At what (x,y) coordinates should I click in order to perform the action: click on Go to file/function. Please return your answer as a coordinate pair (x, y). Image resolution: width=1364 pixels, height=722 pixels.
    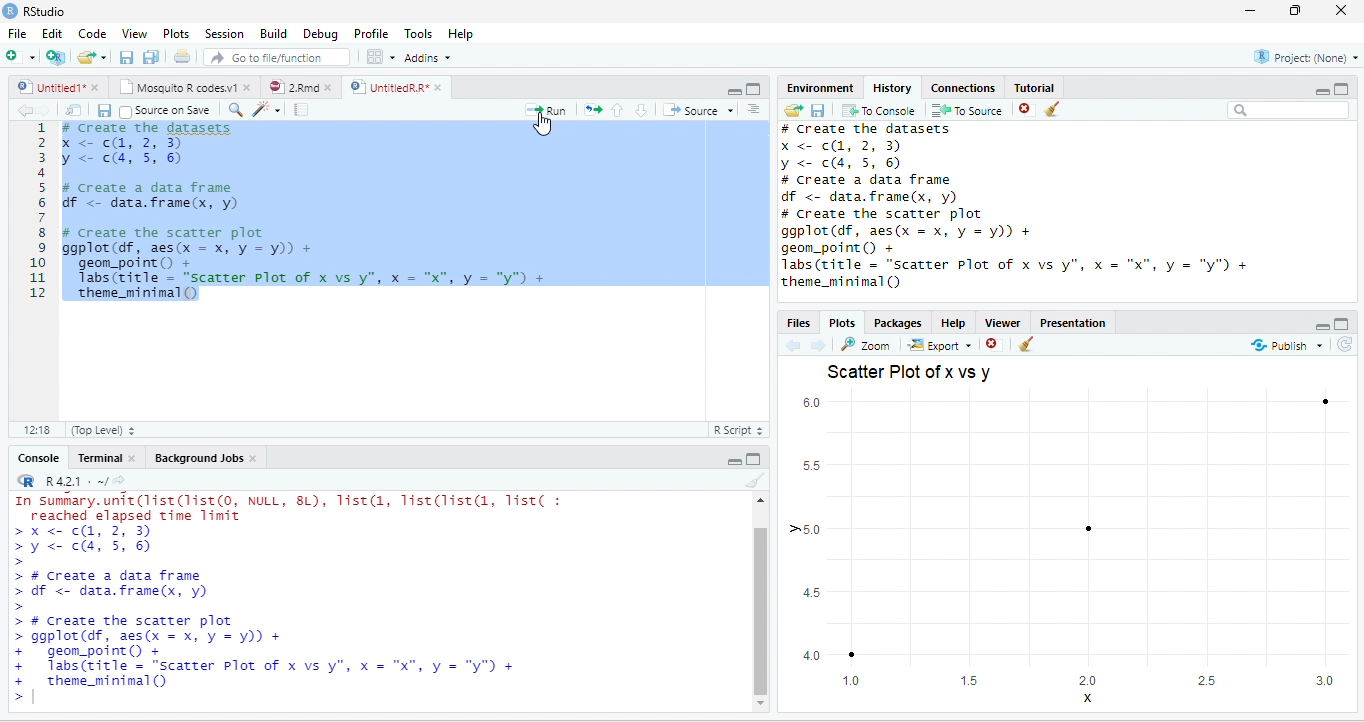
    Looking at the image, I should click on (277, 56).